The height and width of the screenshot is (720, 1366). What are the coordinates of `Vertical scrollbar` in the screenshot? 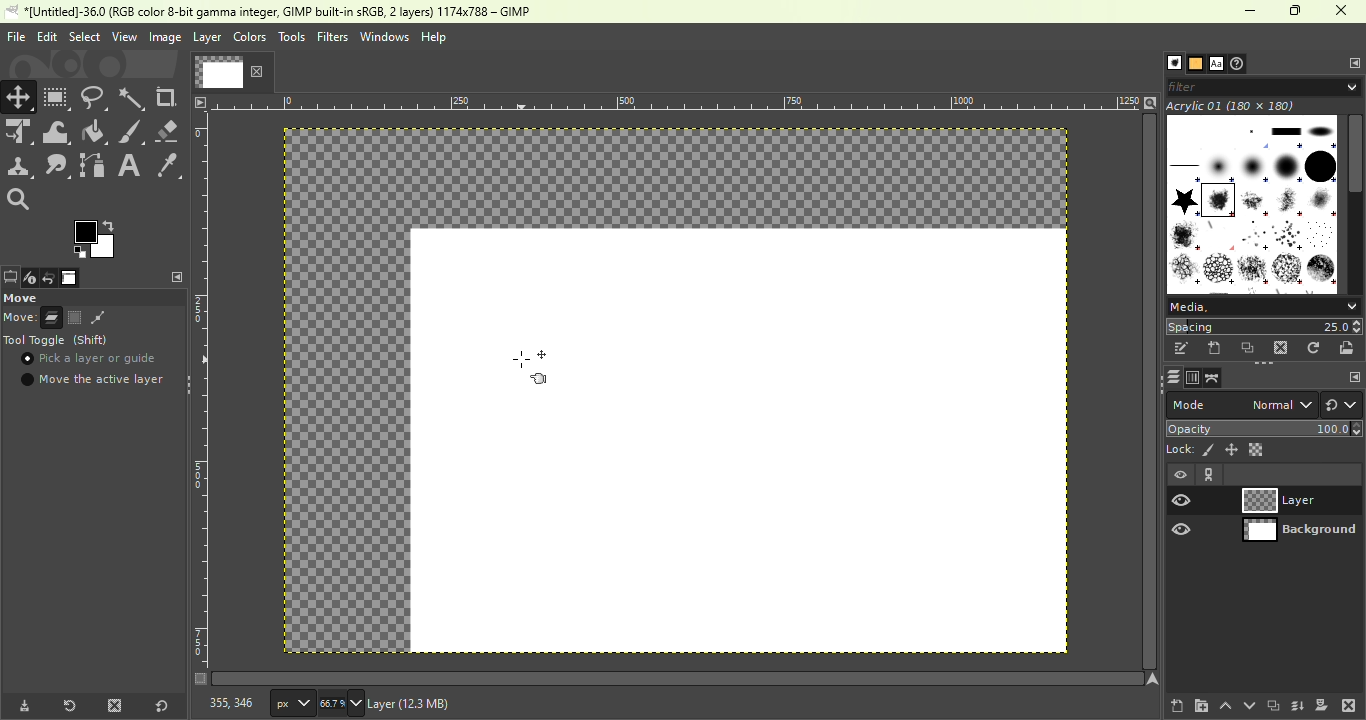 It's located at (678, 678).